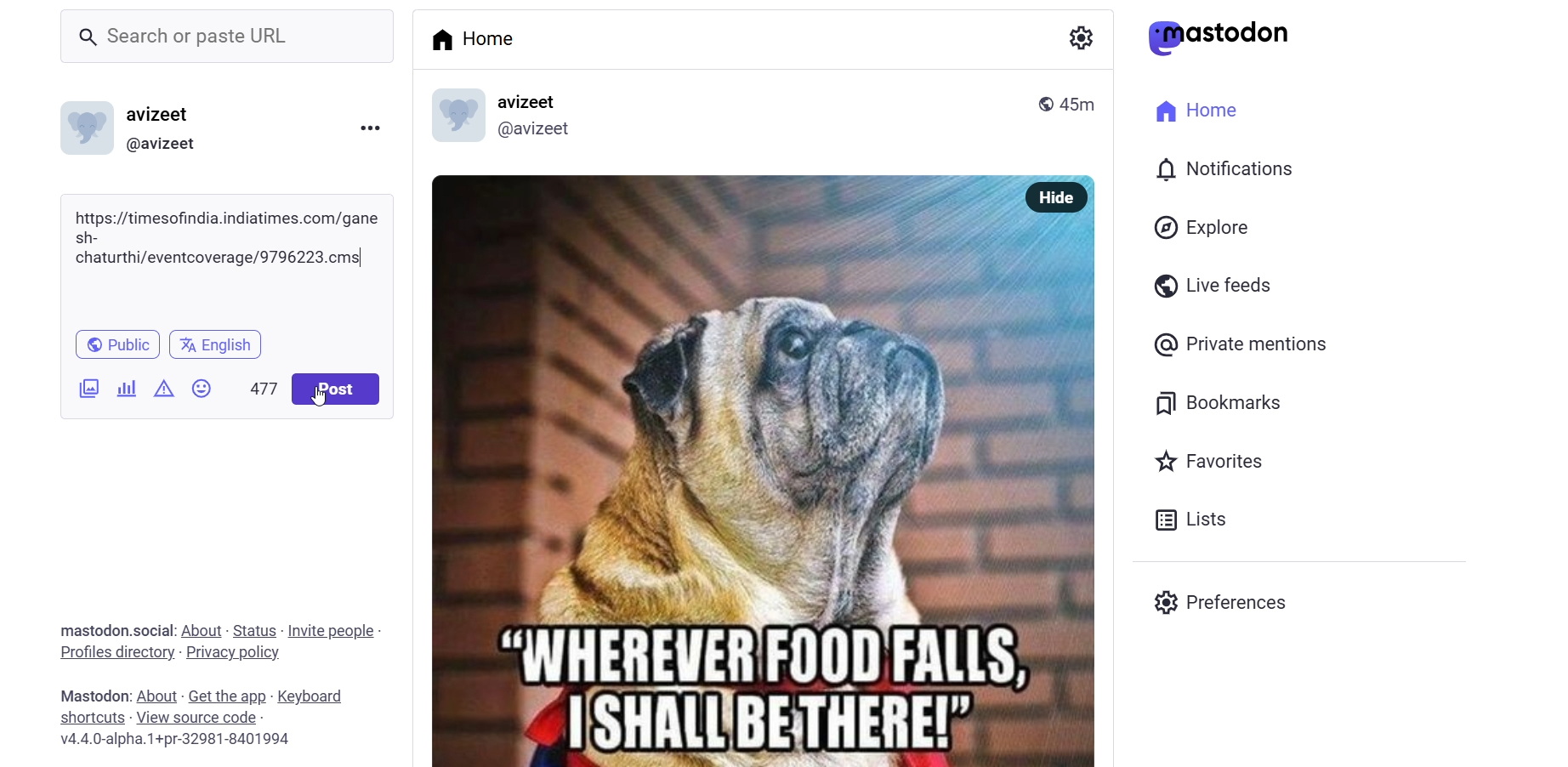  Describe the element at coordinates (1241, 345) in the screenshot. I see `@ Private mentions` at that location.